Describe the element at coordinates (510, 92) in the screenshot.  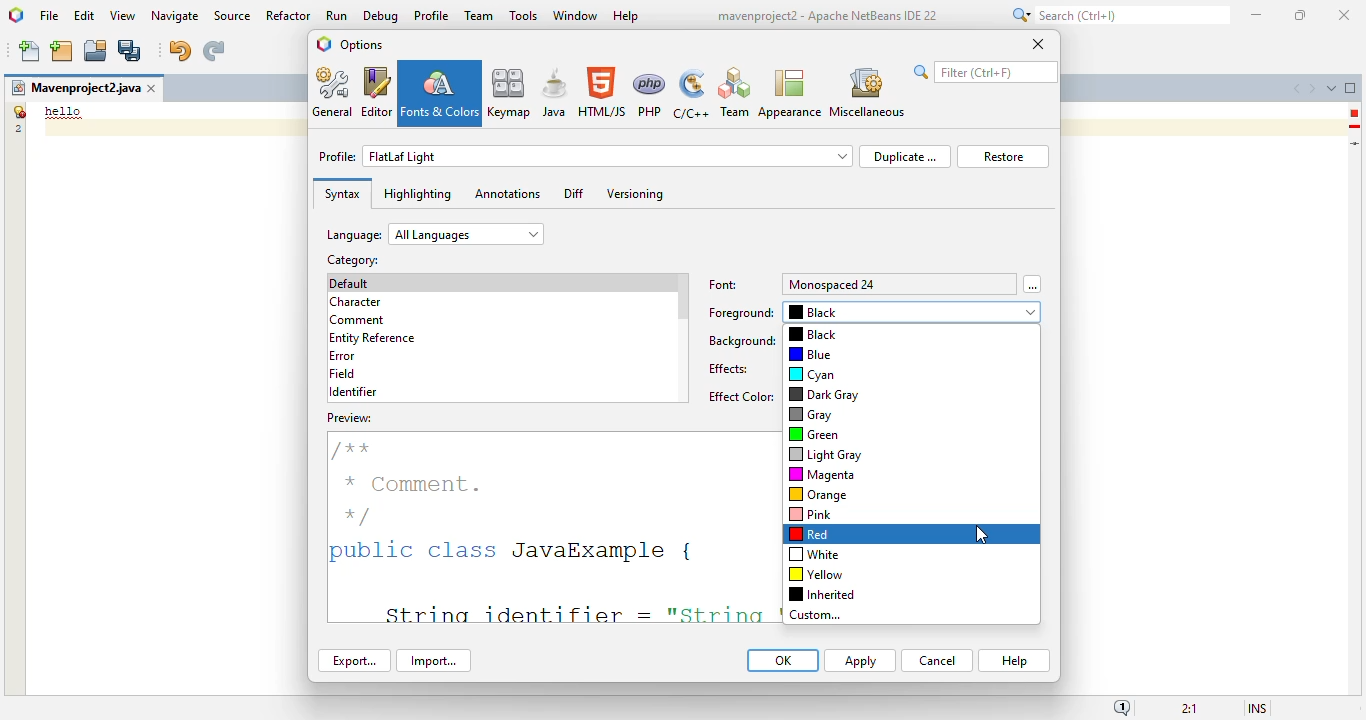
I see `keymap` at that location.